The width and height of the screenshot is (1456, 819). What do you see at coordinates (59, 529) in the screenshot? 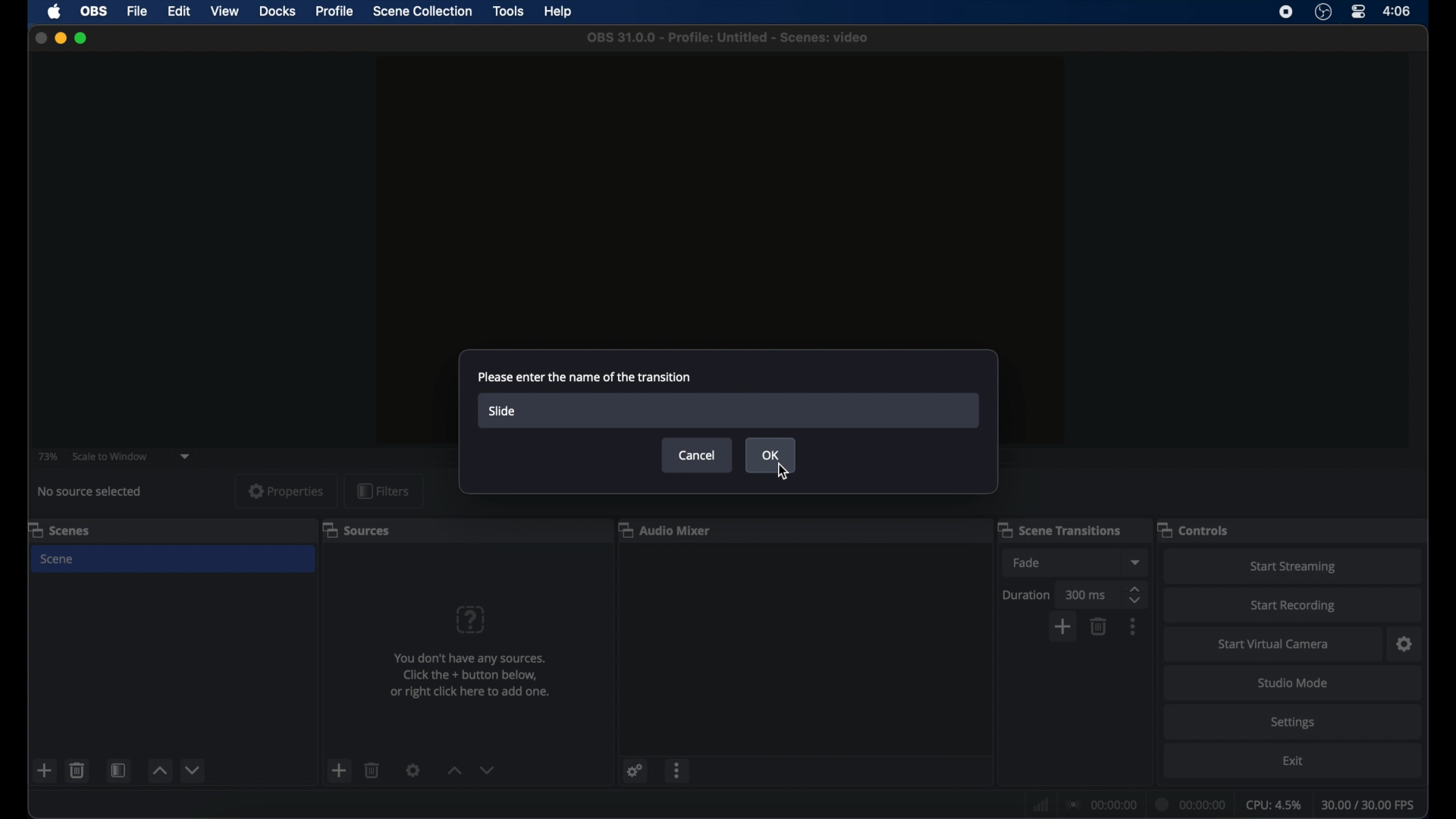
I see `scene` at bounding box center [59, 529].